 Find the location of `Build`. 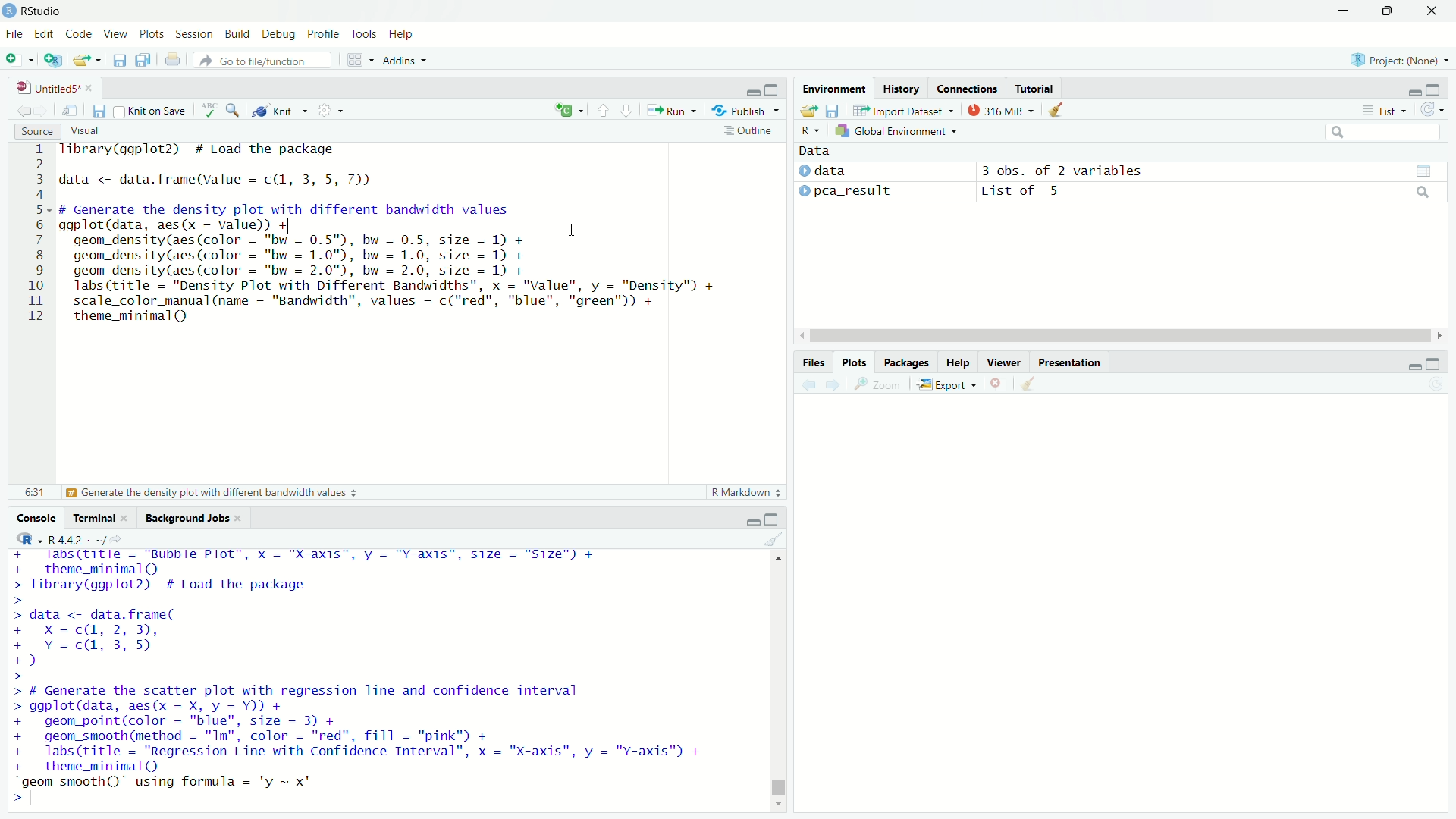

Build is located at coordinates (237, 33).